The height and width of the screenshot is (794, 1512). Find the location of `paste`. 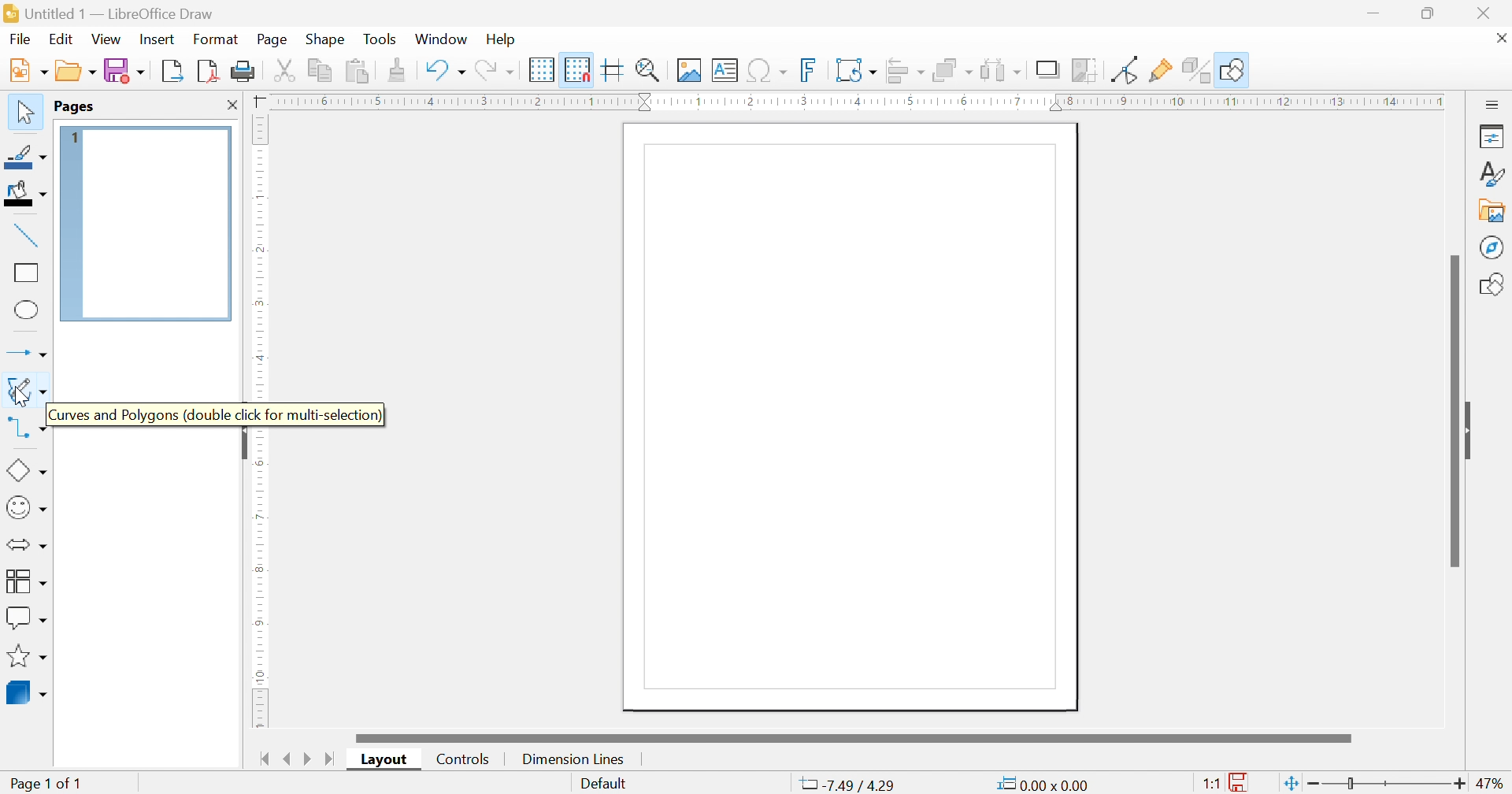

paste is located at coordinates (358, 72).